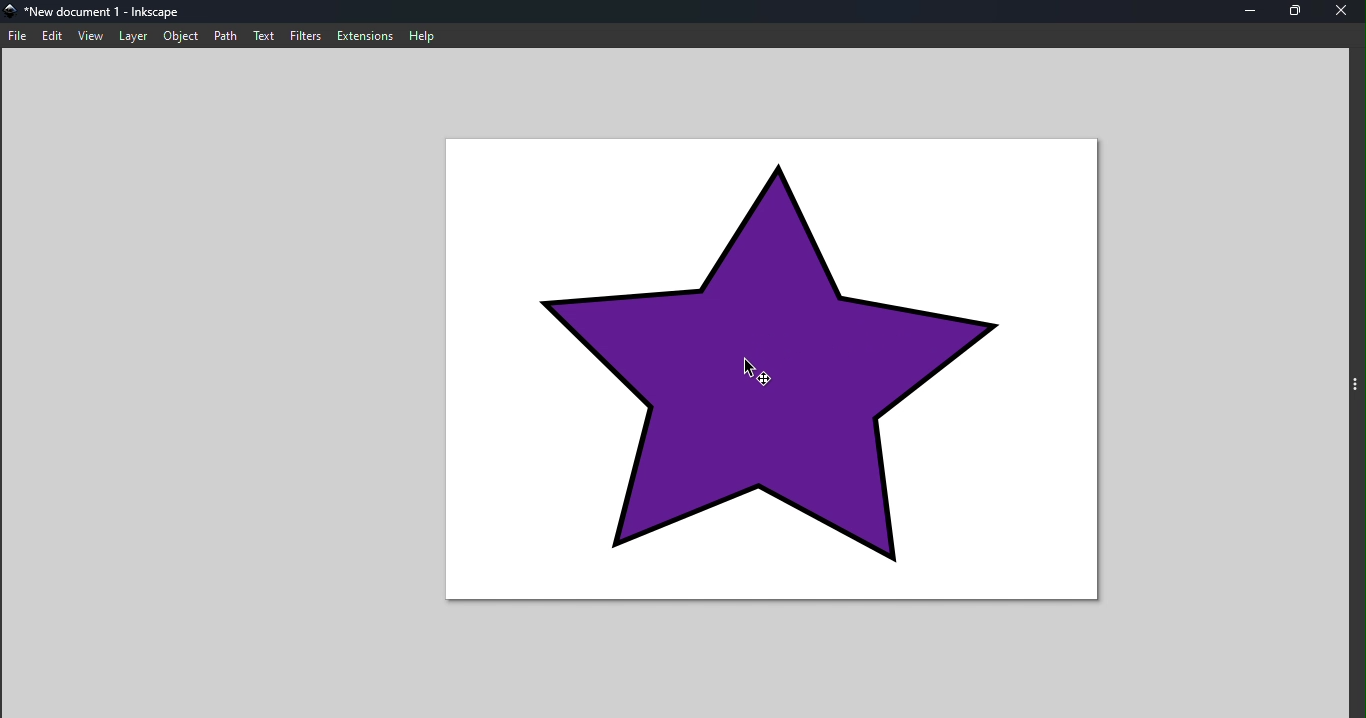 The width and height of the screenshot is (1366, 718). I want to click on Help, so click(425, 35).